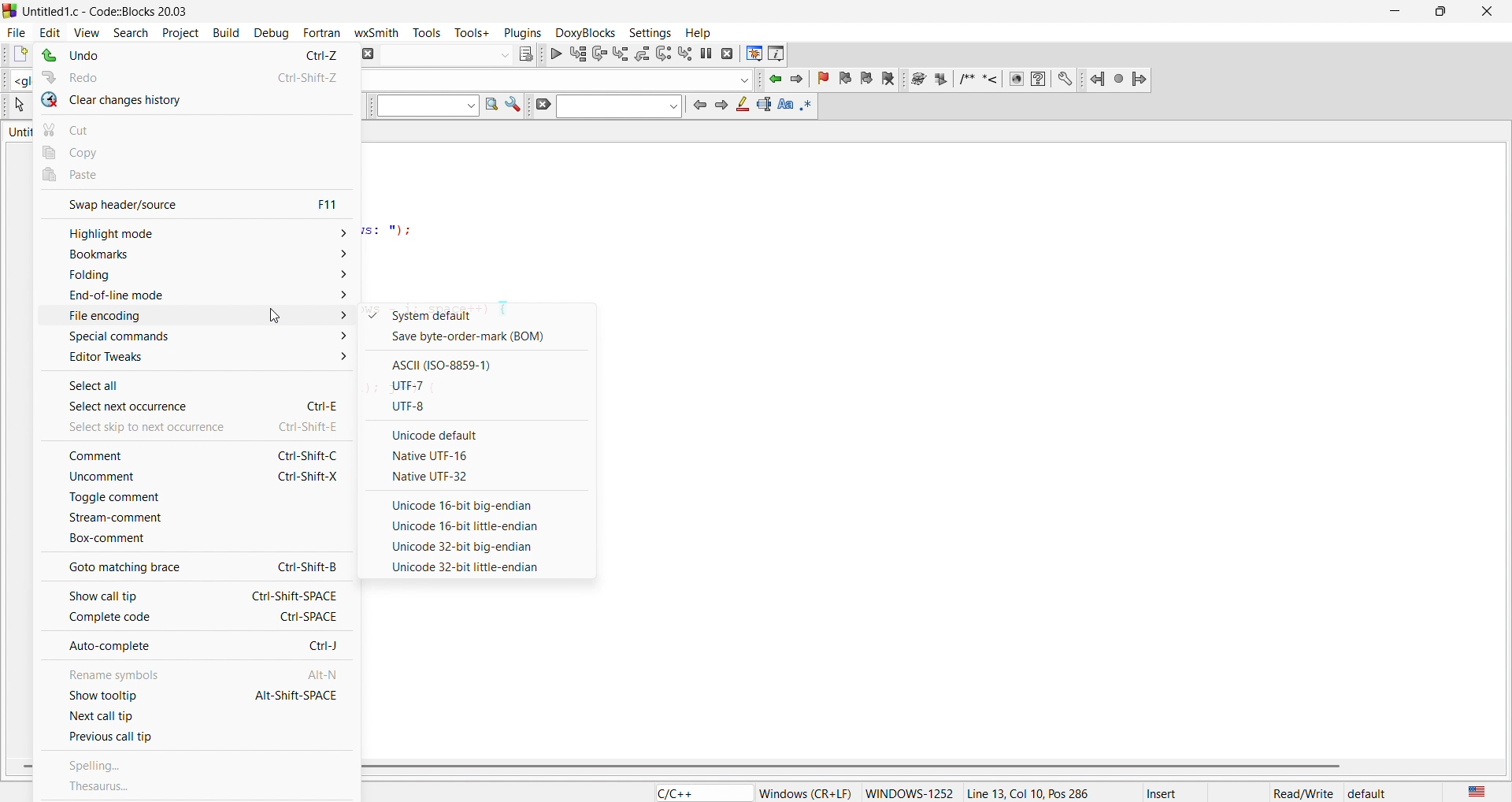 The image size is (1512, 802). I want to click on Line 13, Col 10, Pos 286, so click(1036, 794).